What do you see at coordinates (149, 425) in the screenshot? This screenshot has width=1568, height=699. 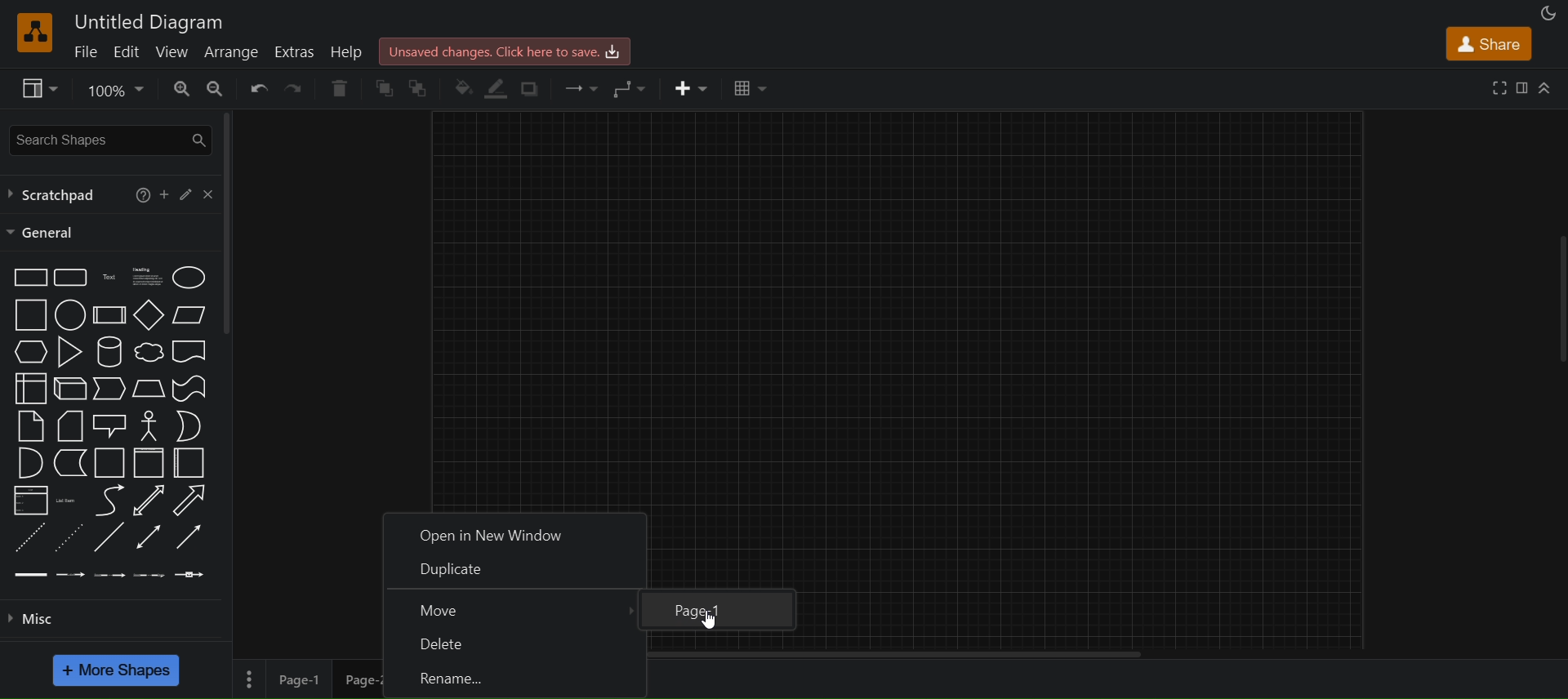 I see `actor` at bounding box center [149, 425].